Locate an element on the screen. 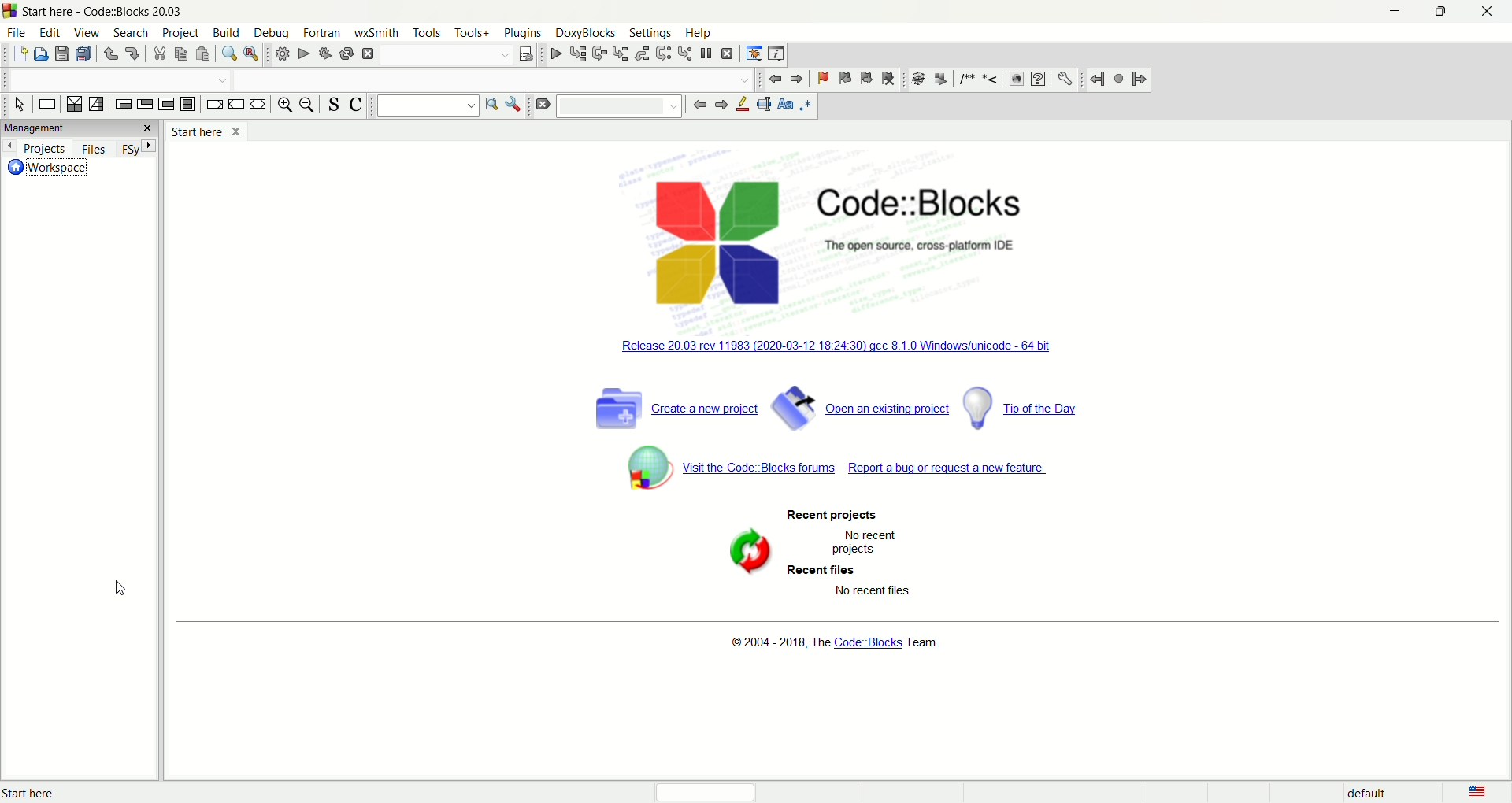 This screenshot has height=803, width=1512. management is located at coordinates (60, 129).